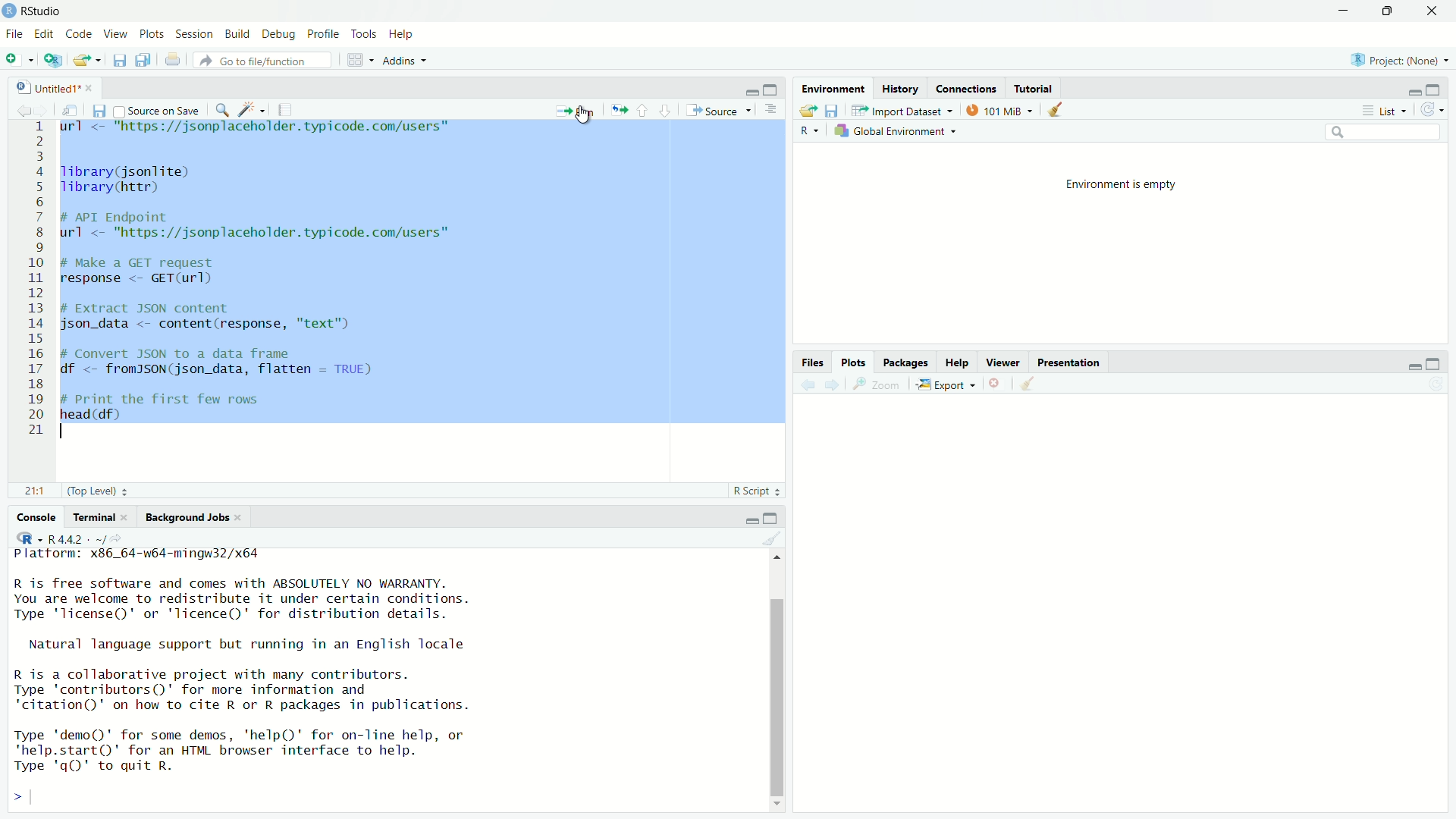  Describe the element at coordinates (1382, 110) in the screenshot. I see `List ` at that location.